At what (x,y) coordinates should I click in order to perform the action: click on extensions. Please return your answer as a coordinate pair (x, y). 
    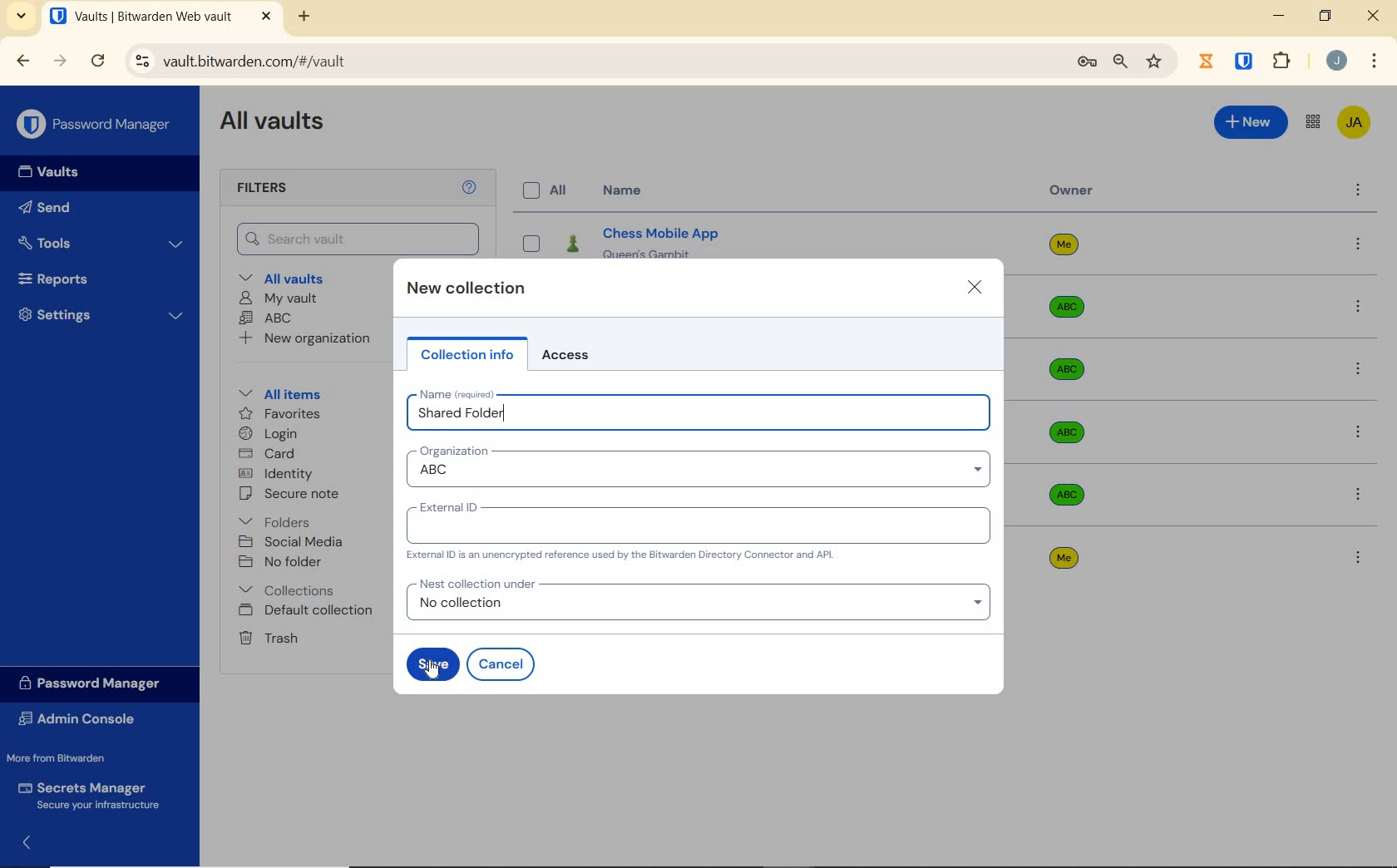
    Looking at the image, I should click on (1283, 61).